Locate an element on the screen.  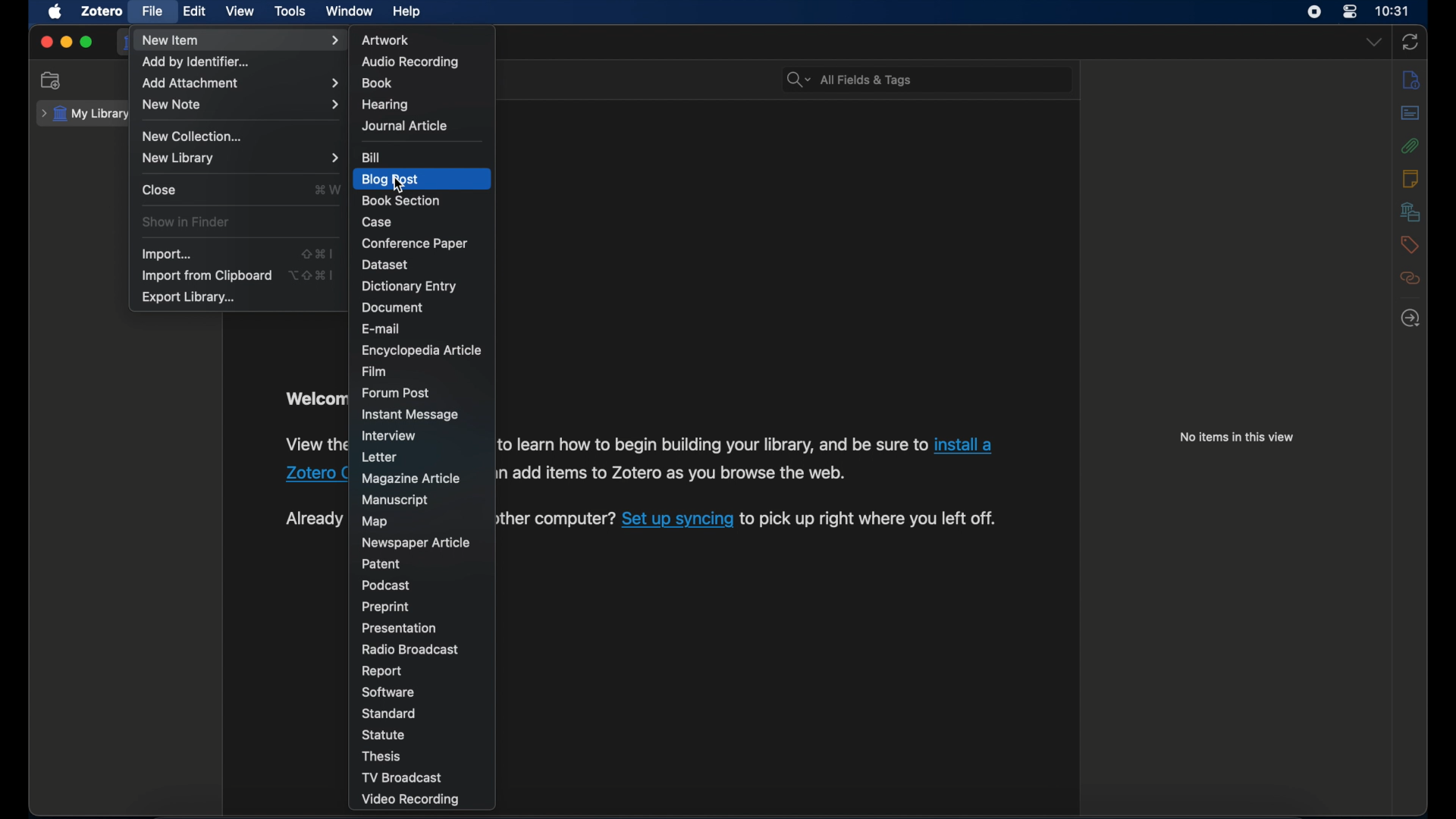
instant message is located at coordinates (409, 414).